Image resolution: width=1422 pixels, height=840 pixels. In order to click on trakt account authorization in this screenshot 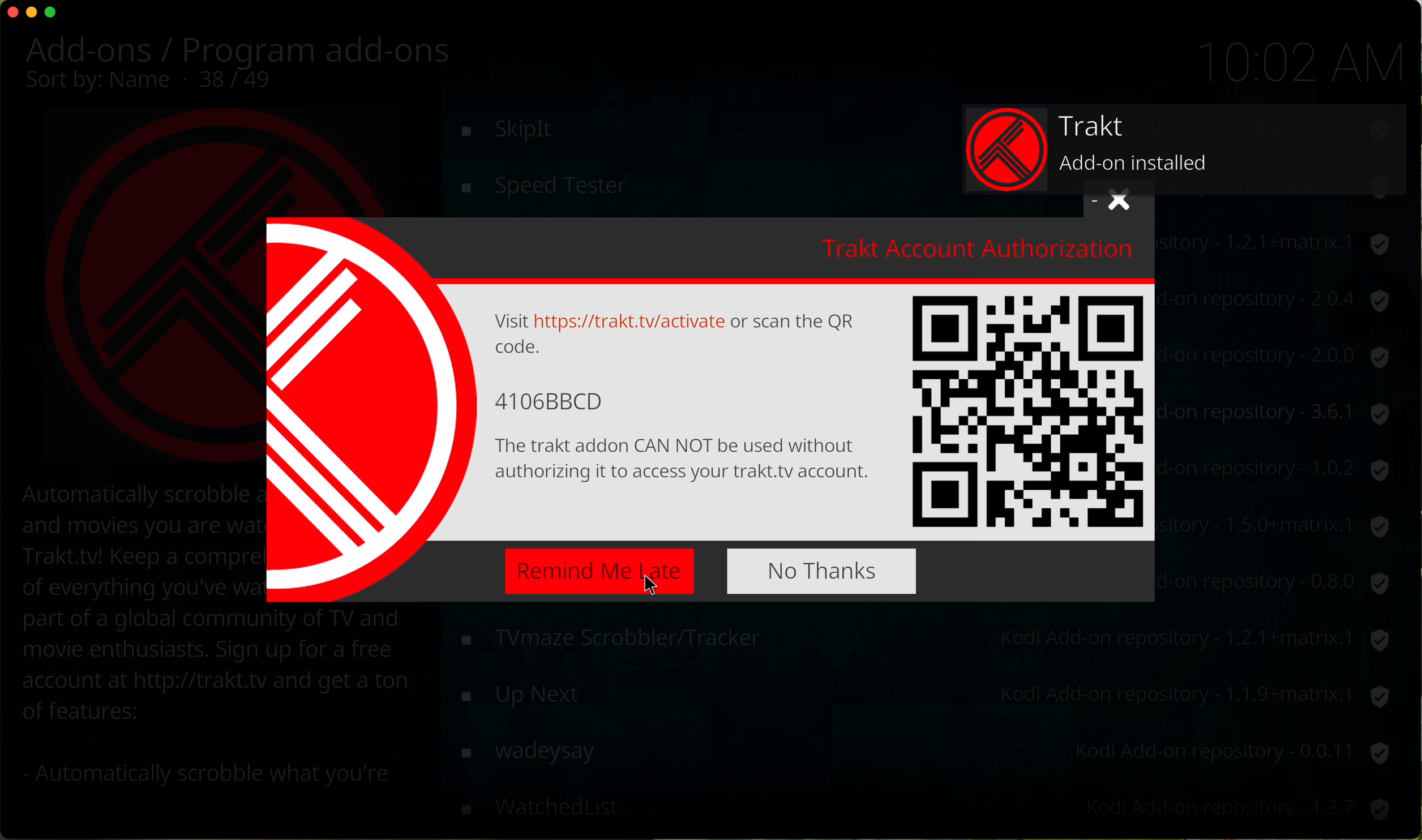, I will do `click(976, 246)`.